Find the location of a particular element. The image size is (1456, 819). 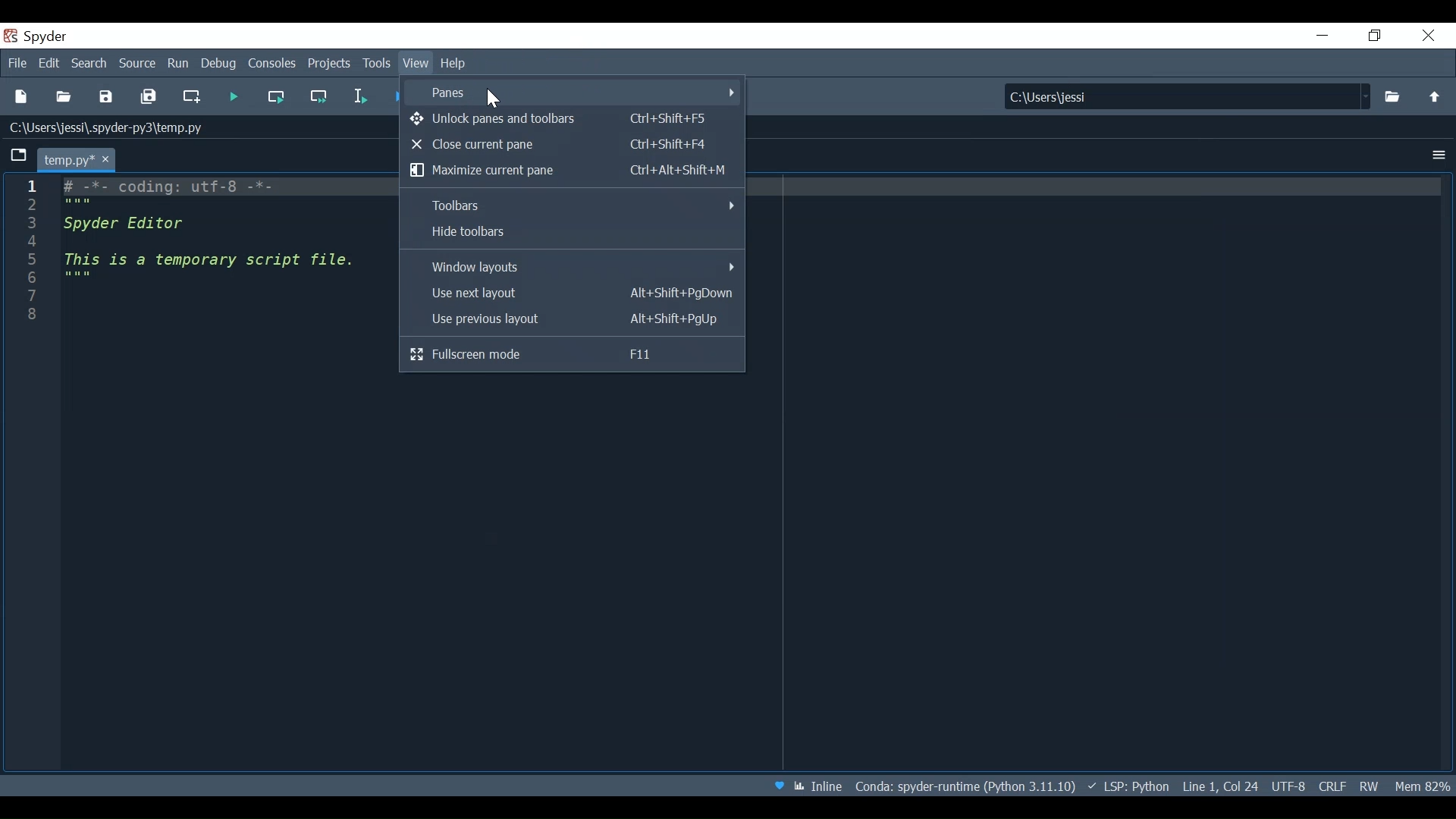

move up is located at coordinates (1431, 96).